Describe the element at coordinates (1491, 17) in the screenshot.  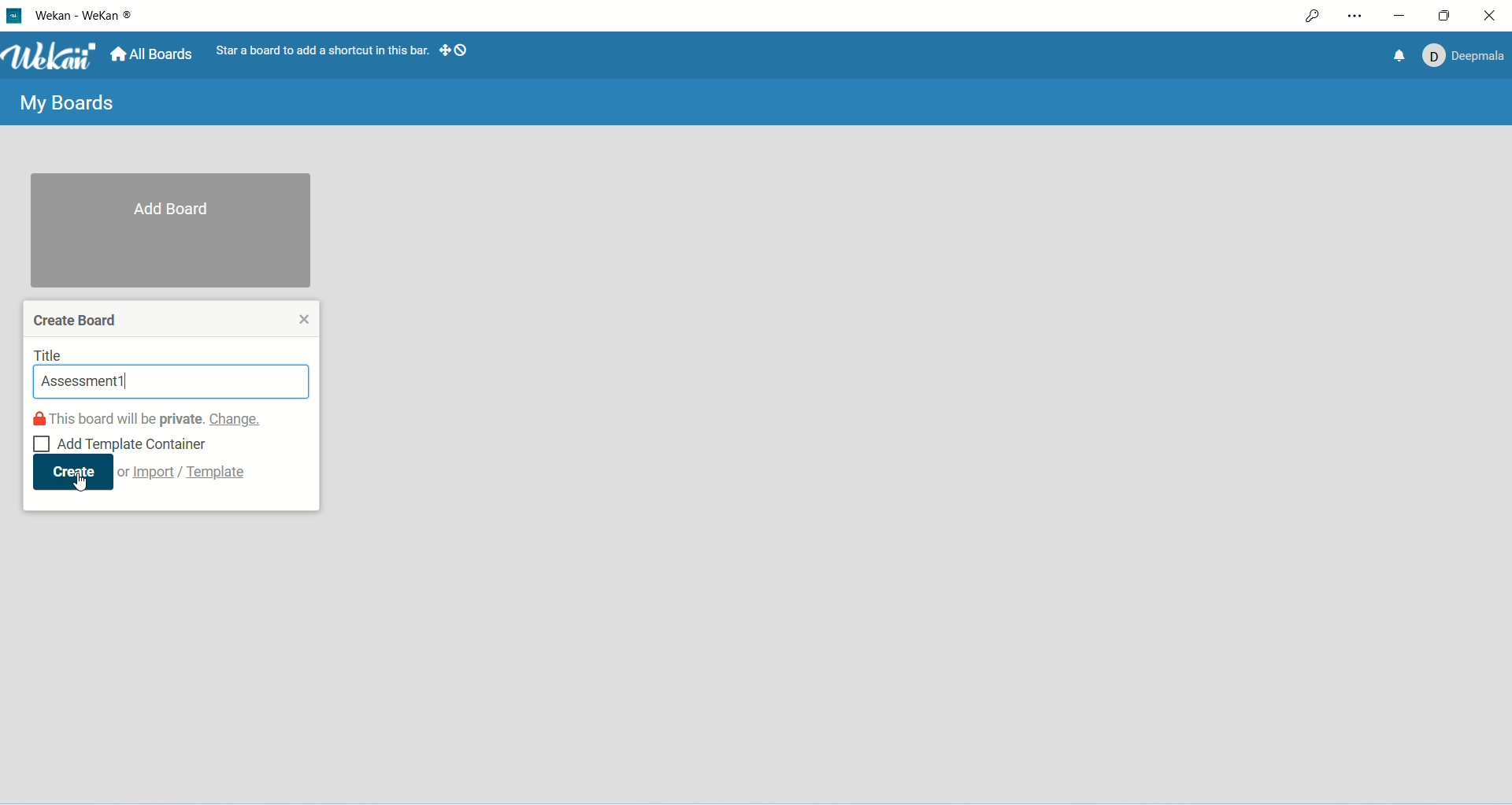
I see `close` at that location.